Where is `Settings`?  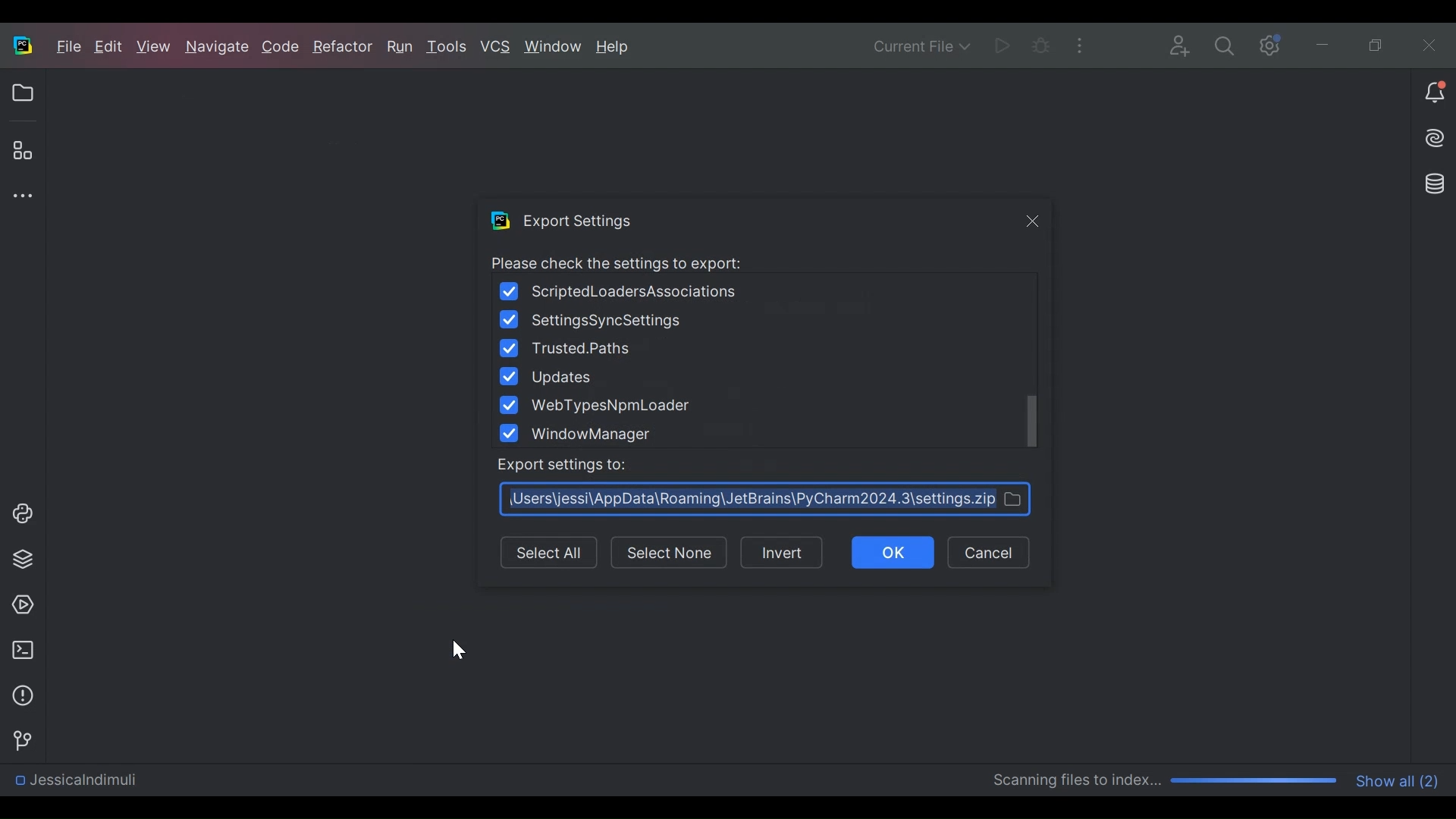 Settings is located at coordinates (1224, 45).